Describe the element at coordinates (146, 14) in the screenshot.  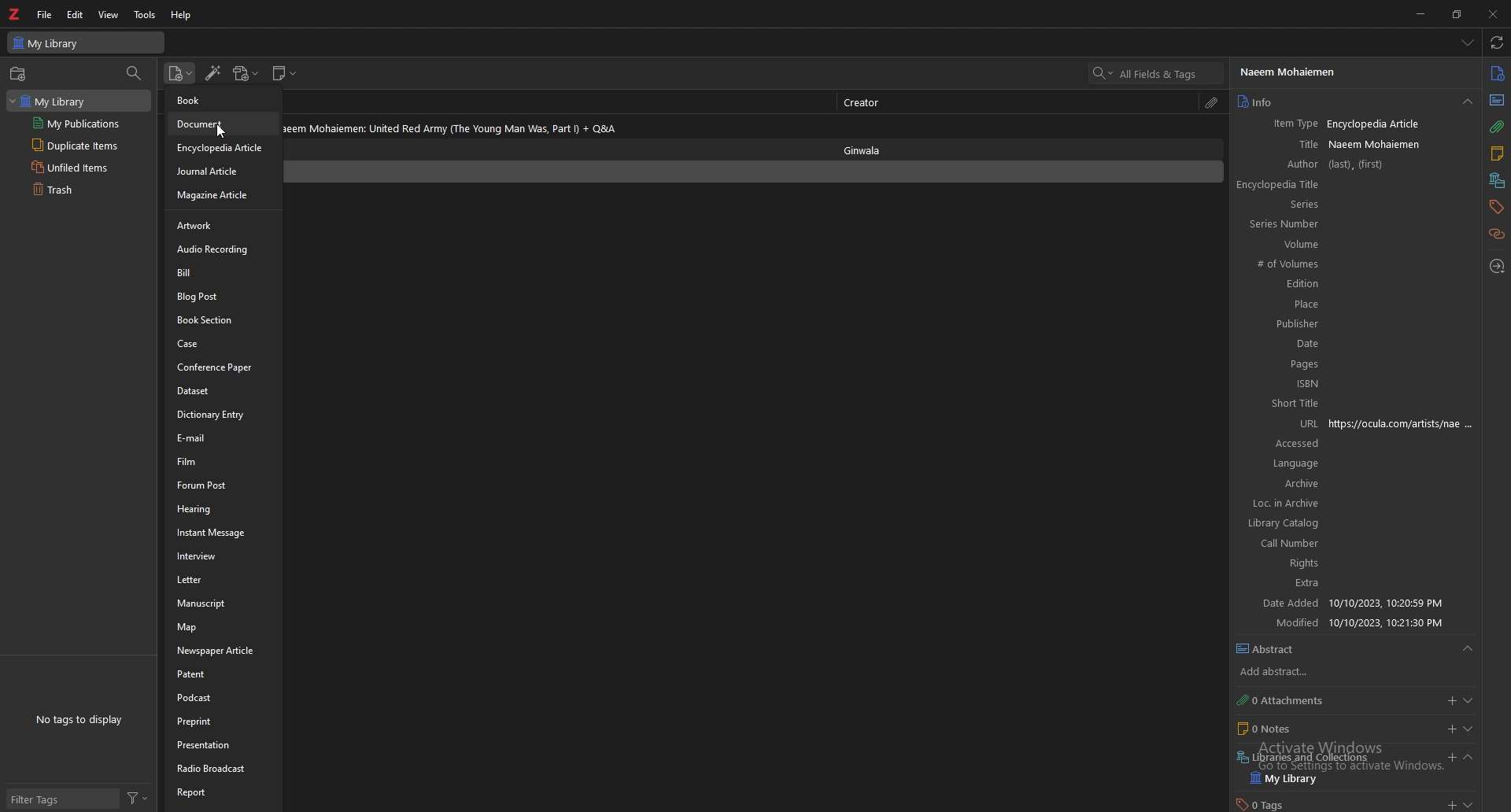
I see `tools` at that location.